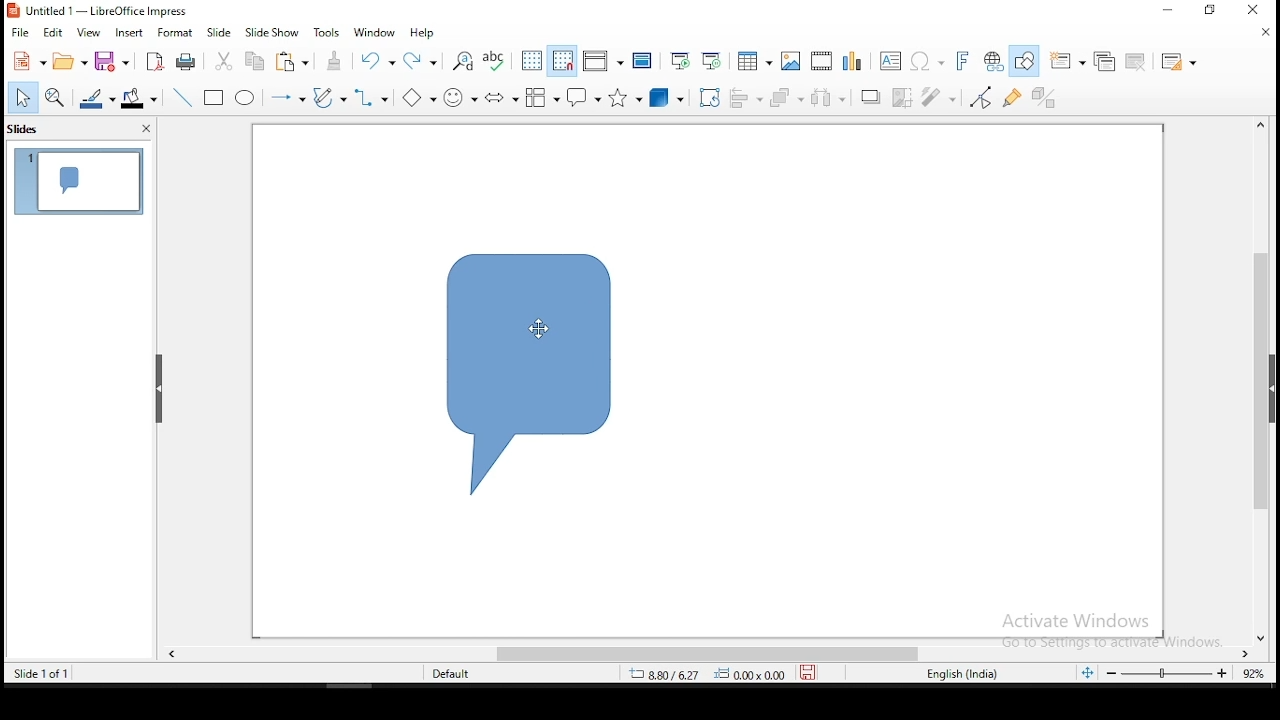 The image size is (1280, 720). I want to click on show gluepoint functions, so click(1013, 98).